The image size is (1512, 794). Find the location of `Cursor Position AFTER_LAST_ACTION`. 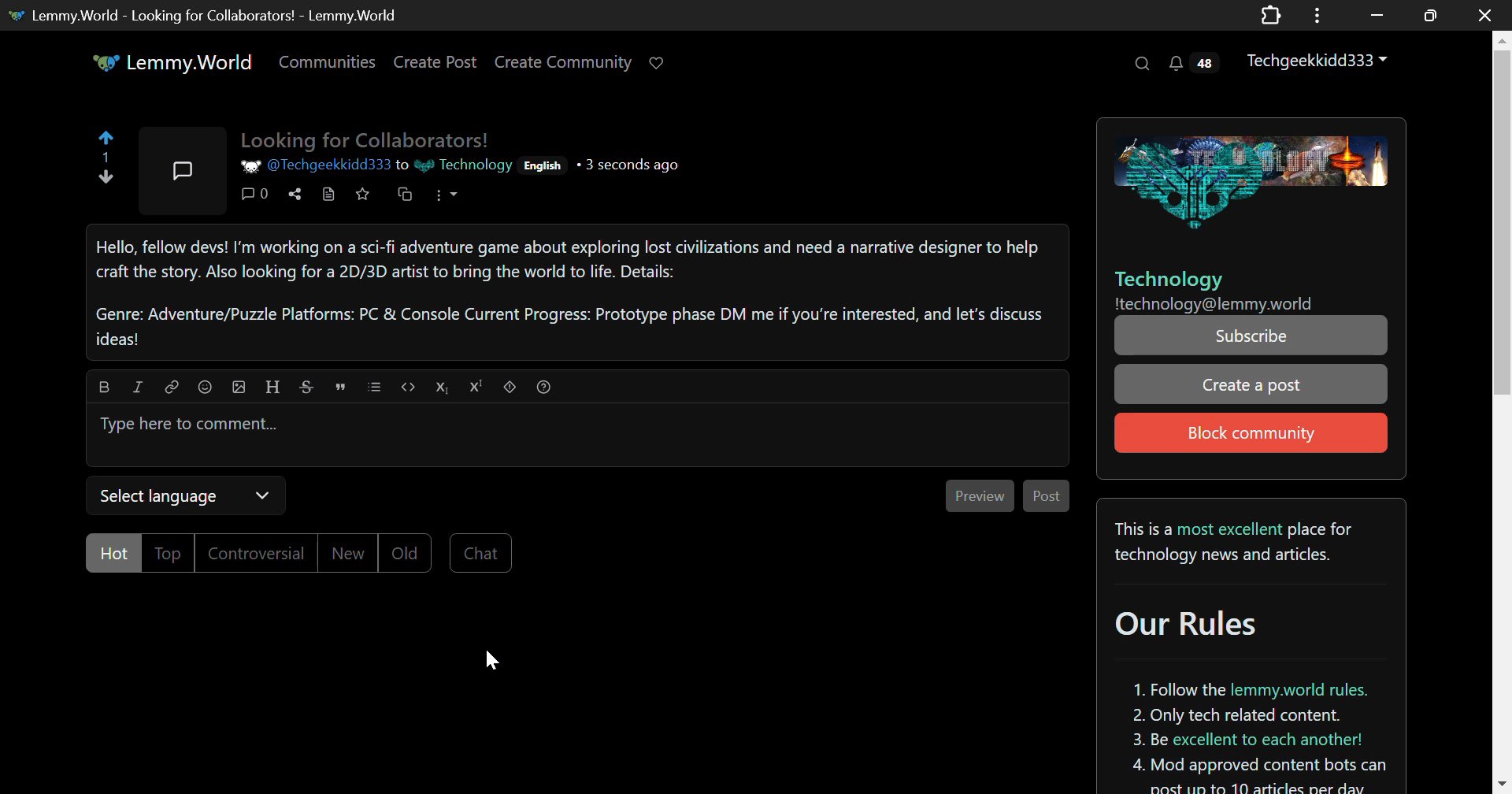

Cursor Position AFTER_LAST_ACTION is located at coordinates (491, 662).